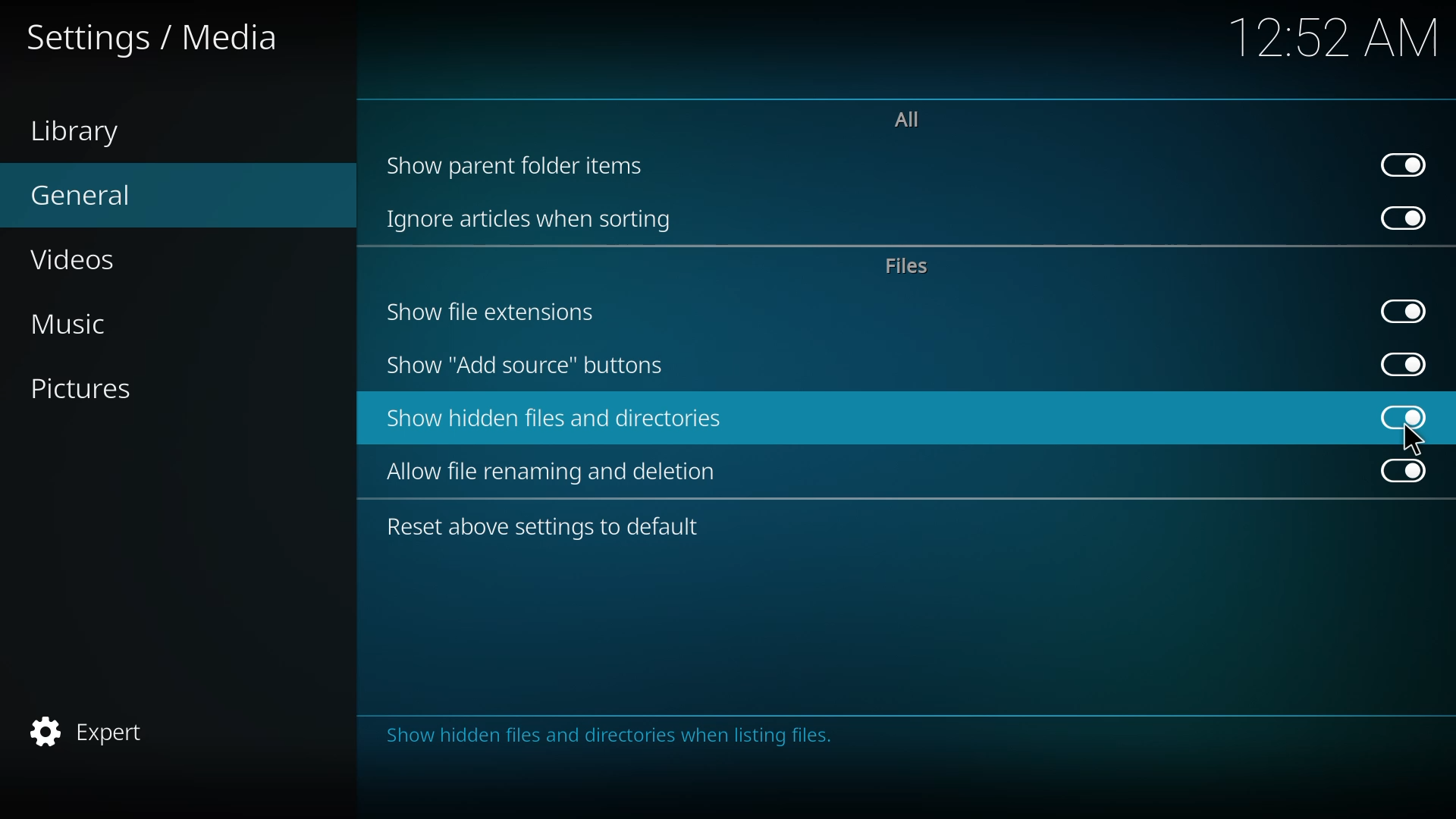 The height and width of the screenshot is (819, 1456). What do you see at coordinates (1407, 311) in the screenshot?
I see `enabled` at bounding box center [1407, 311].